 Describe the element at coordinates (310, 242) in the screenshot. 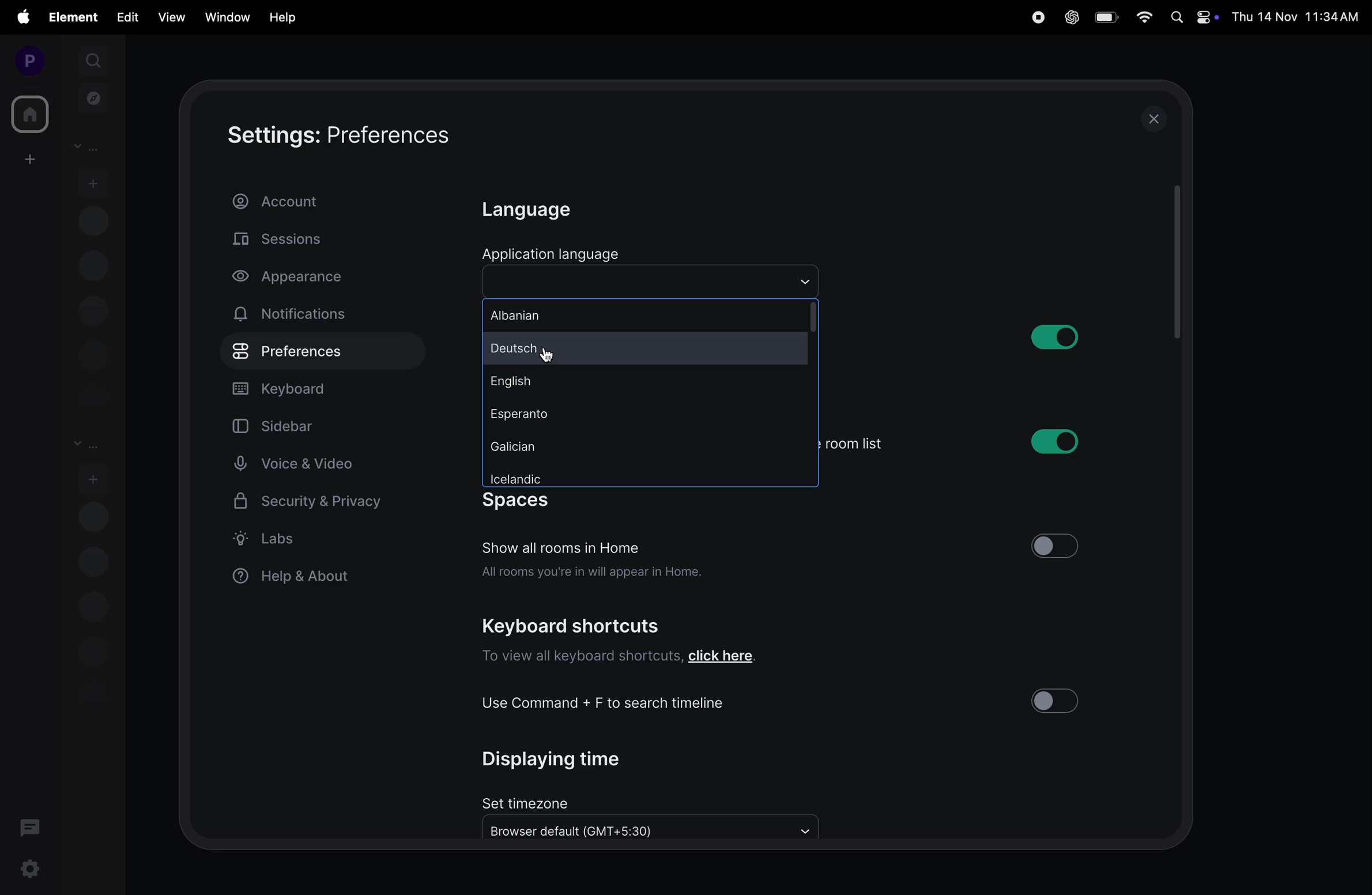

I see `sessions` at that location.